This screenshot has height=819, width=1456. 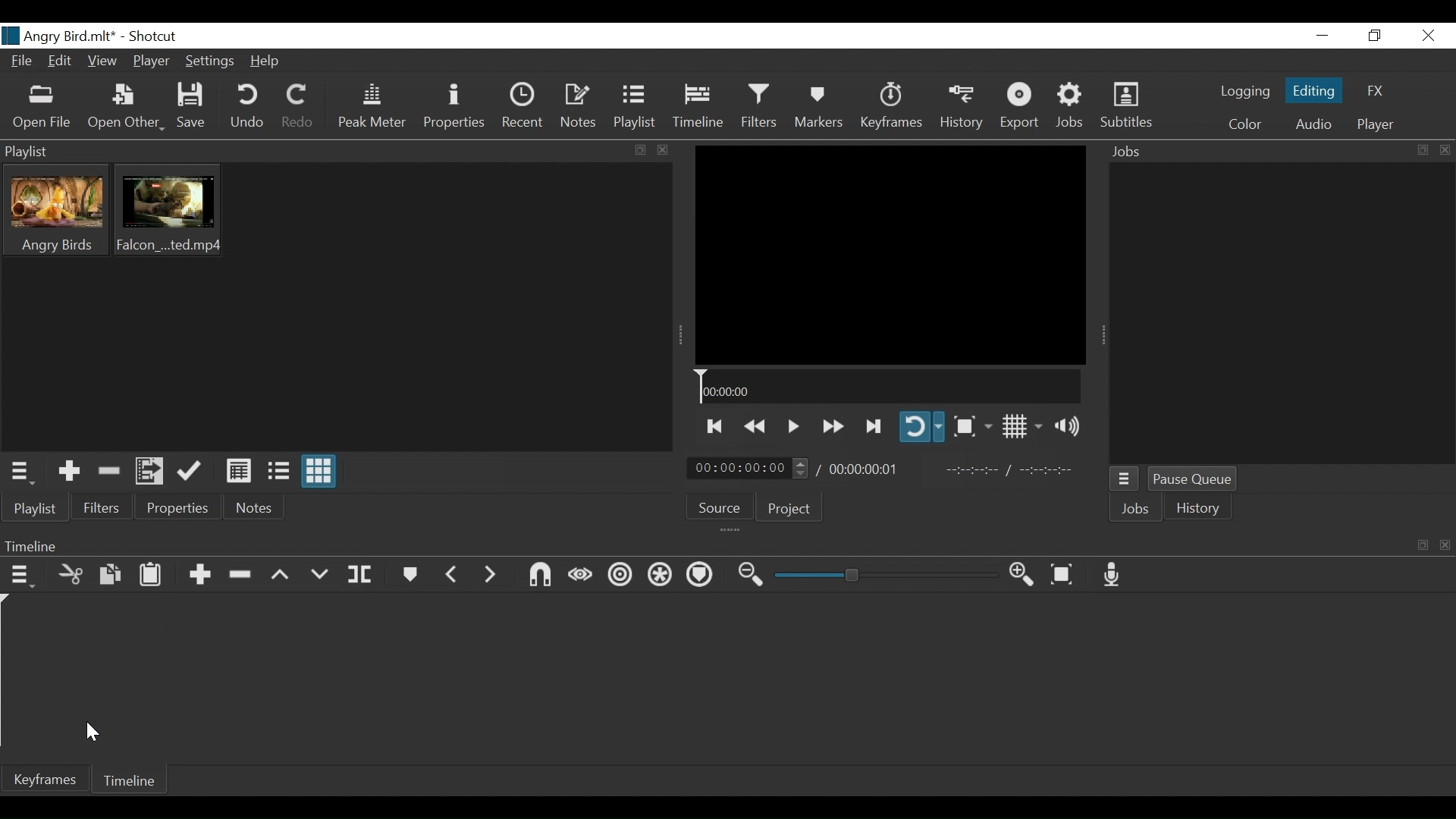 What do you see at coordinates (759, 108) in the screenshot?
I see `` at bounding box center [759, 108].